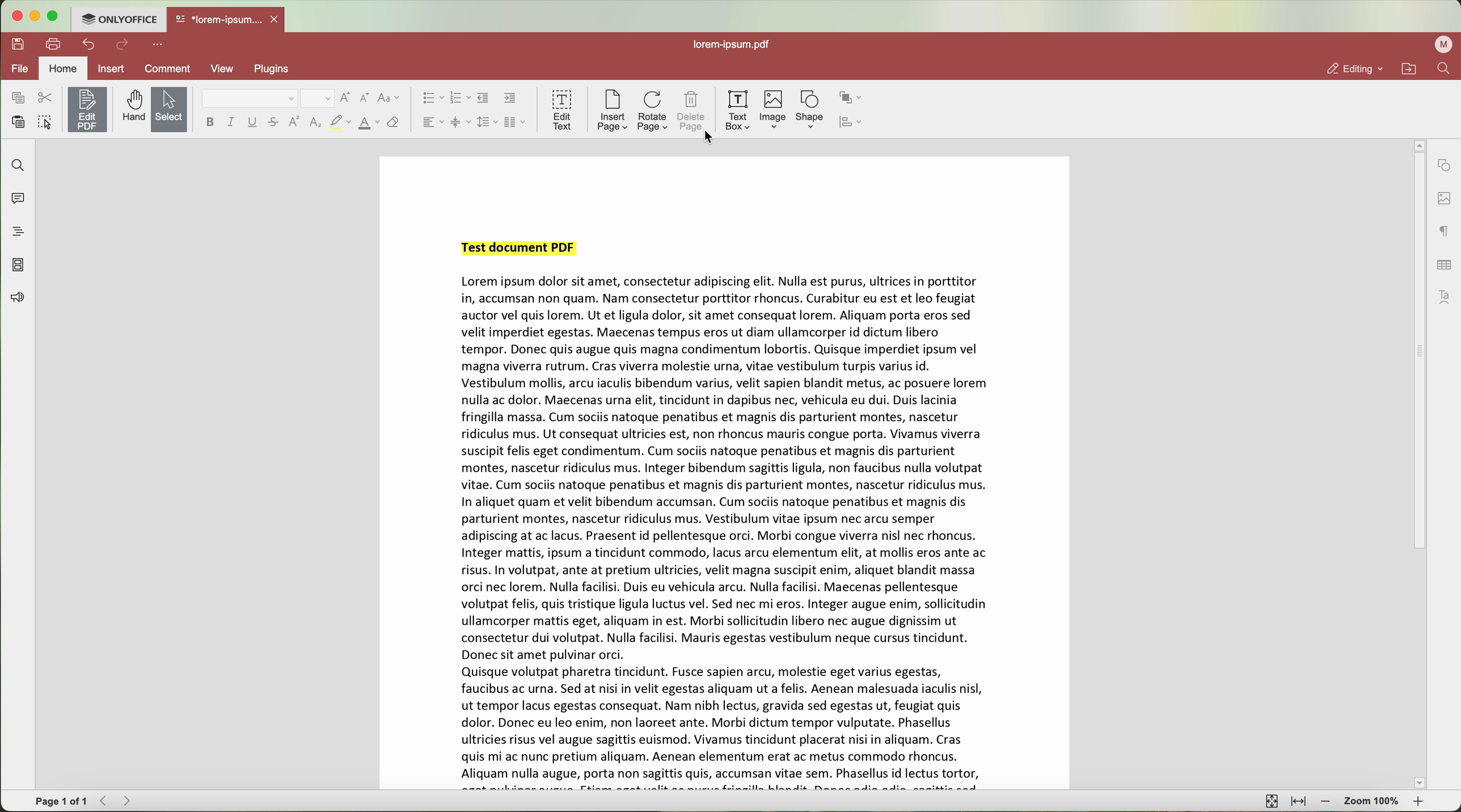 The width and height of the screenshot is (1461, 812). I want to click on select, so click(169, 109).